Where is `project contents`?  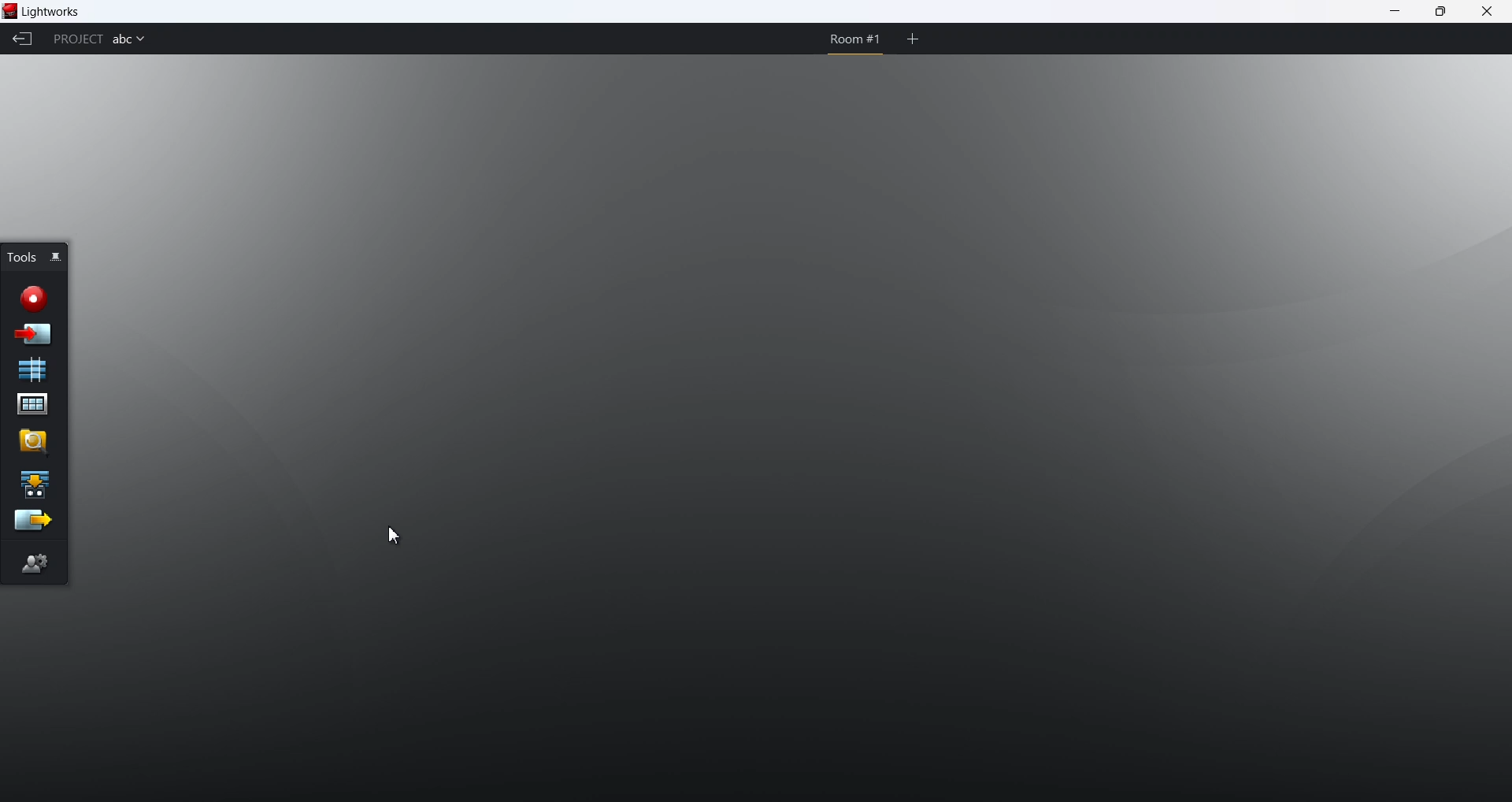 project contents is located at coordinates (31, 406).